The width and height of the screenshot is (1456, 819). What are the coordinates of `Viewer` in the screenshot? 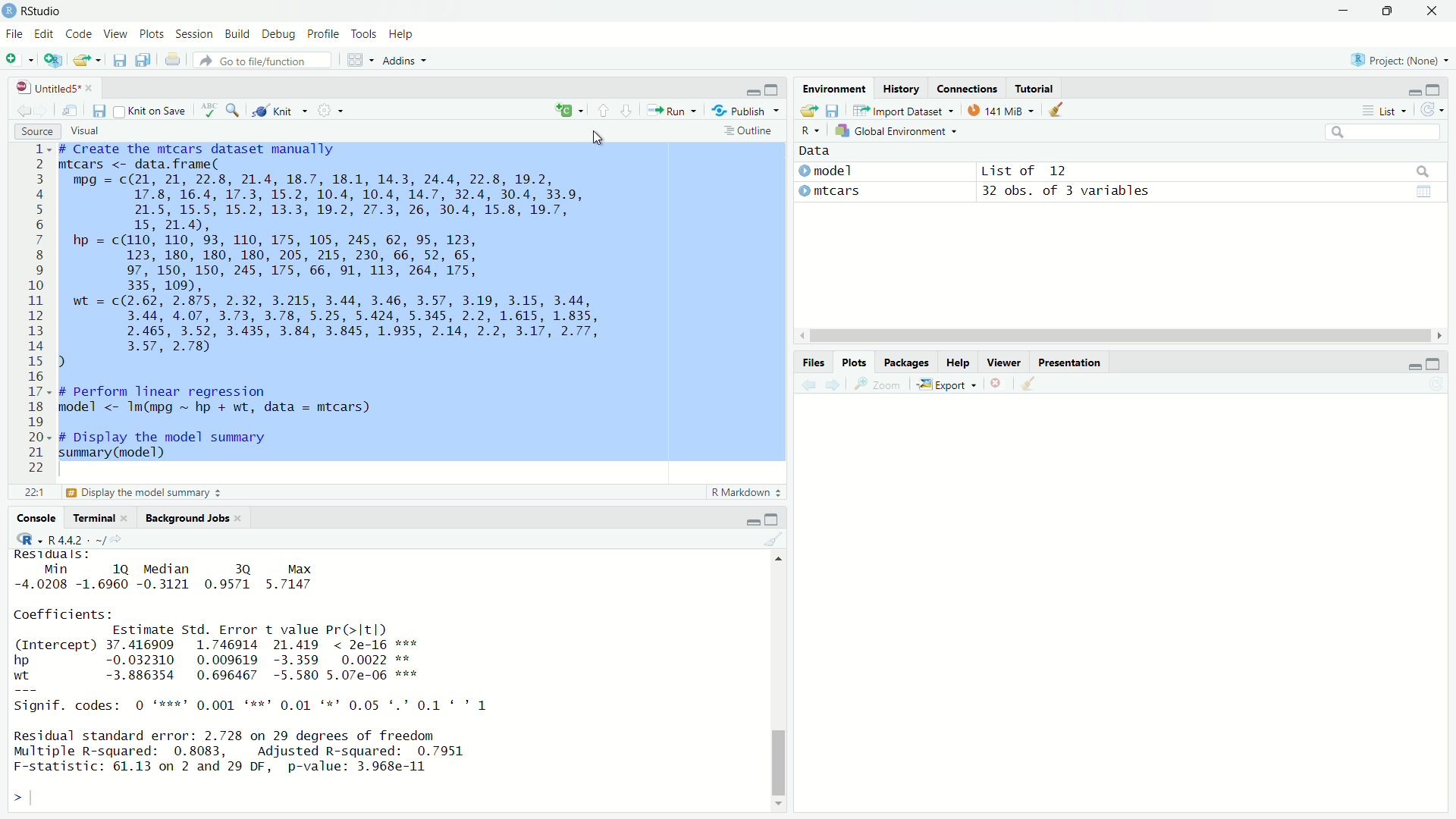 It's located at (1007, 363).